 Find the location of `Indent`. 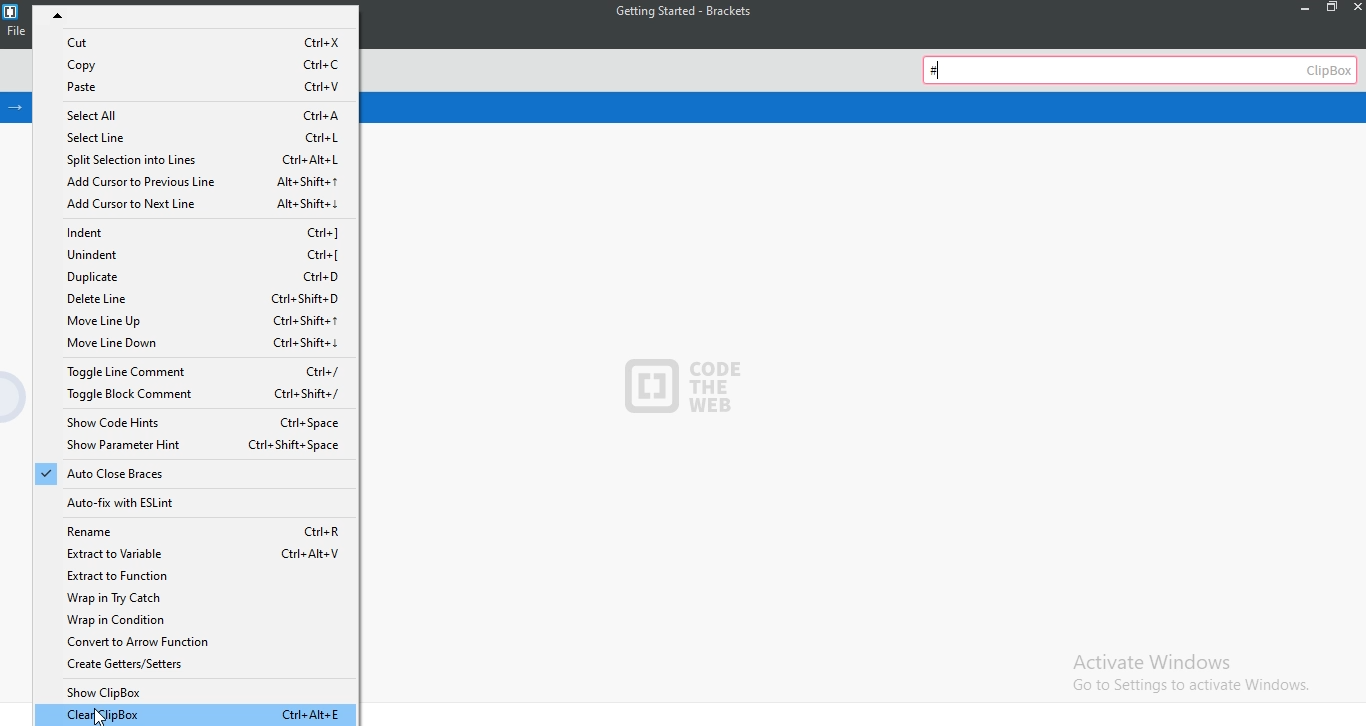

Indent is located at coordinates (207, 230).